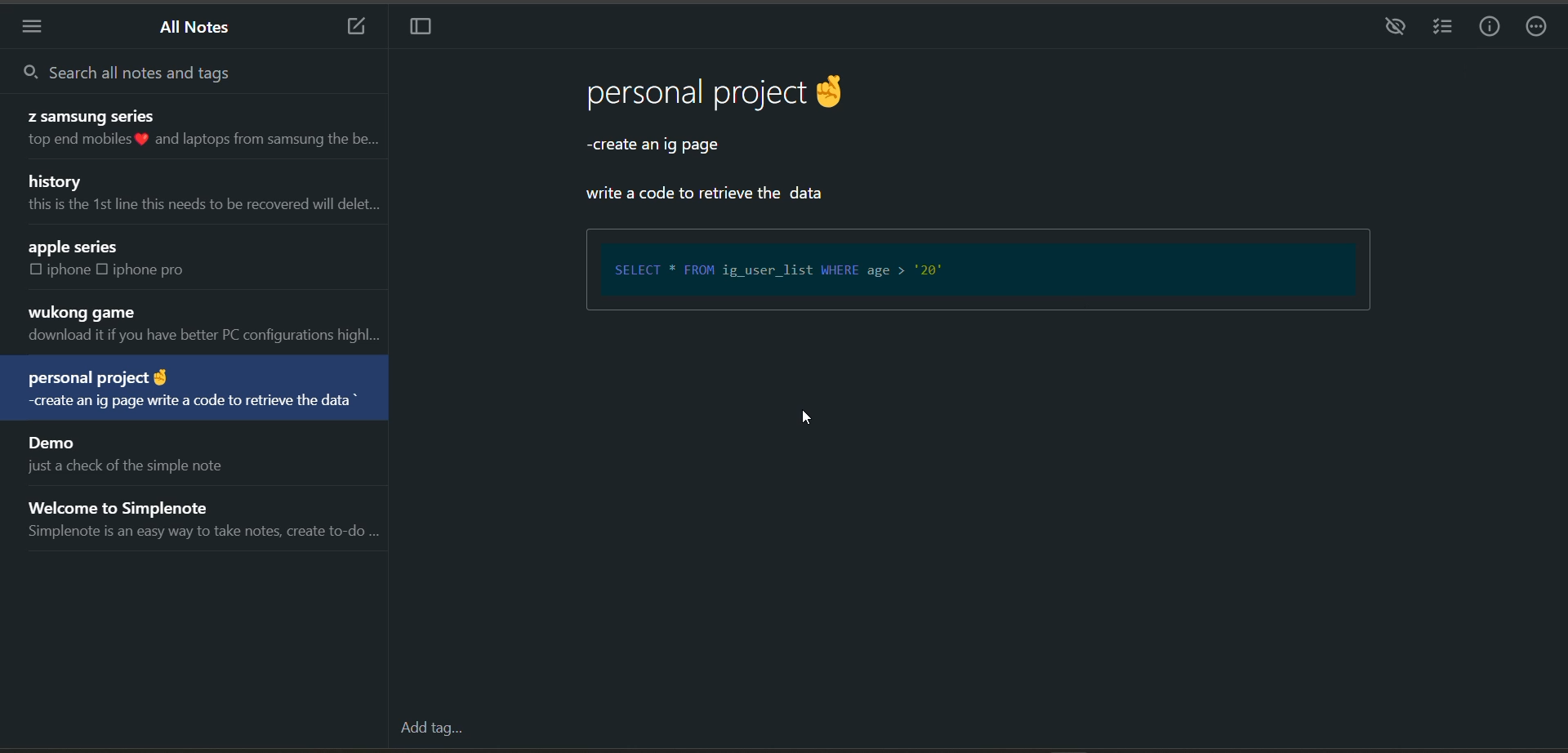 The width and height of the screenshot is (1568, 753). I want to click on add tag, so click(429, 730).